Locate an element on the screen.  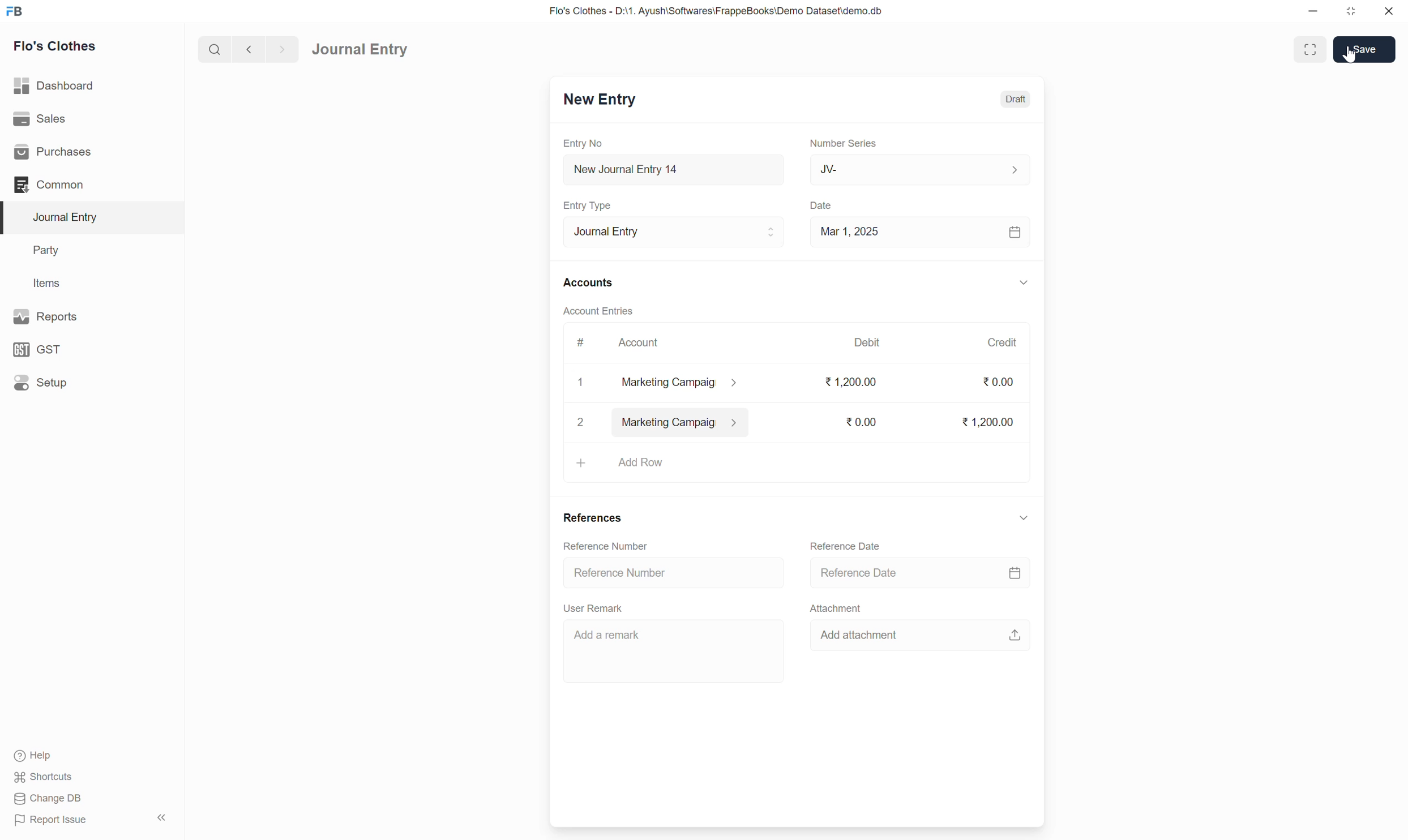
Help is located at coordinates (36, 756).